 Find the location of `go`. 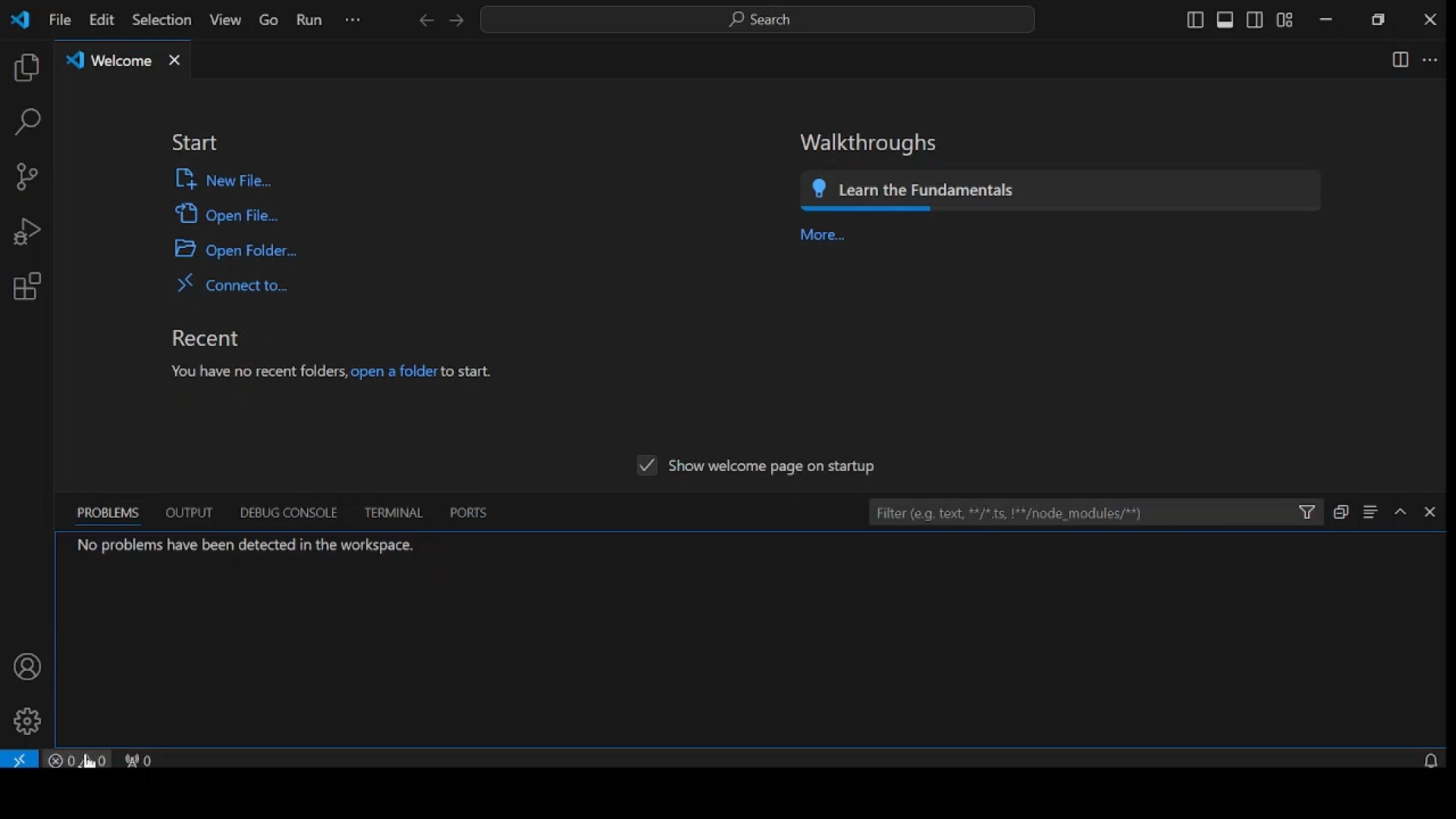

go is located at coordinates (266, 20).